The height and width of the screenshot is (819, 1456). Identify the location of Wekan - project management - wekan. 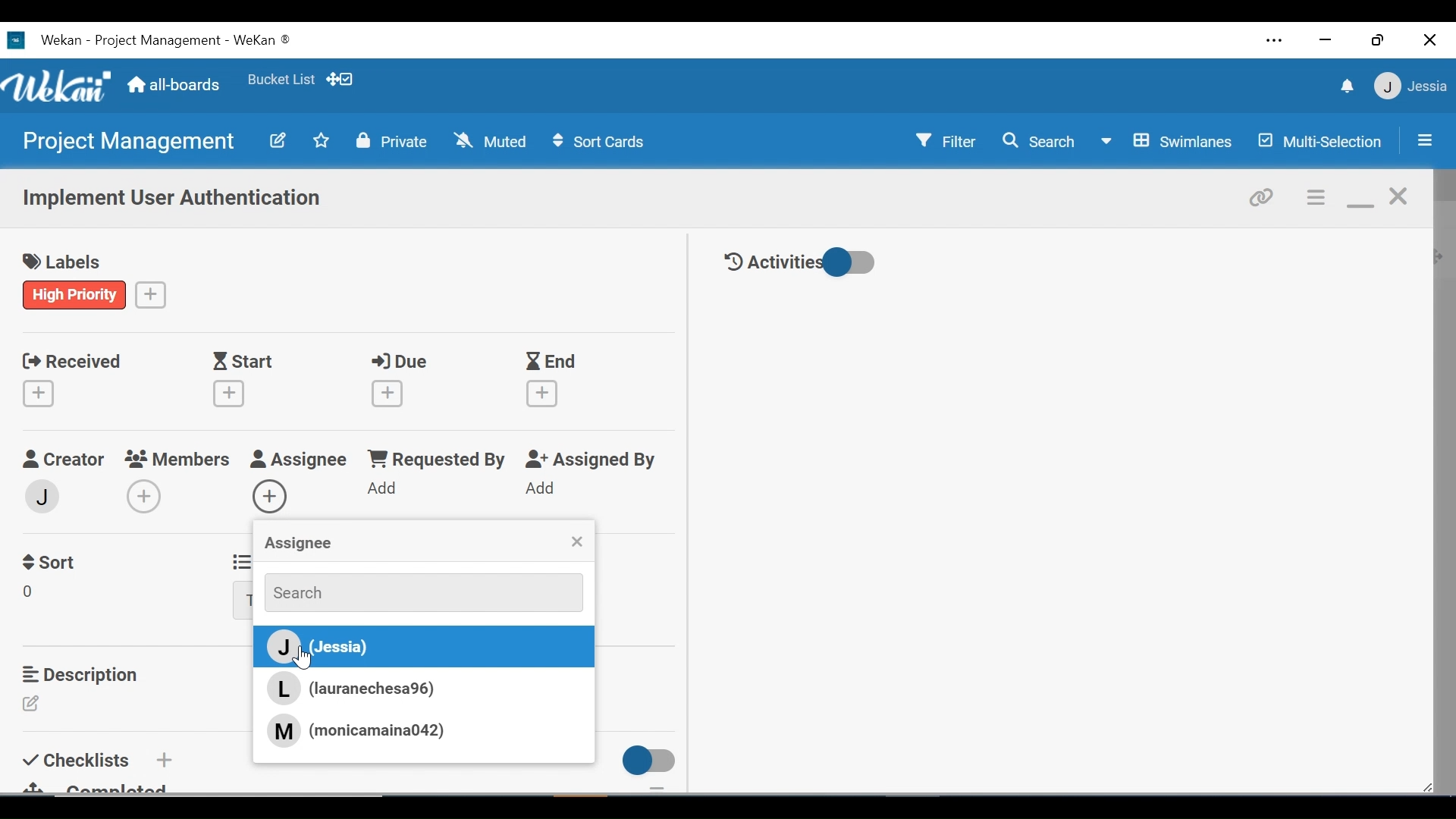
(188, 38).